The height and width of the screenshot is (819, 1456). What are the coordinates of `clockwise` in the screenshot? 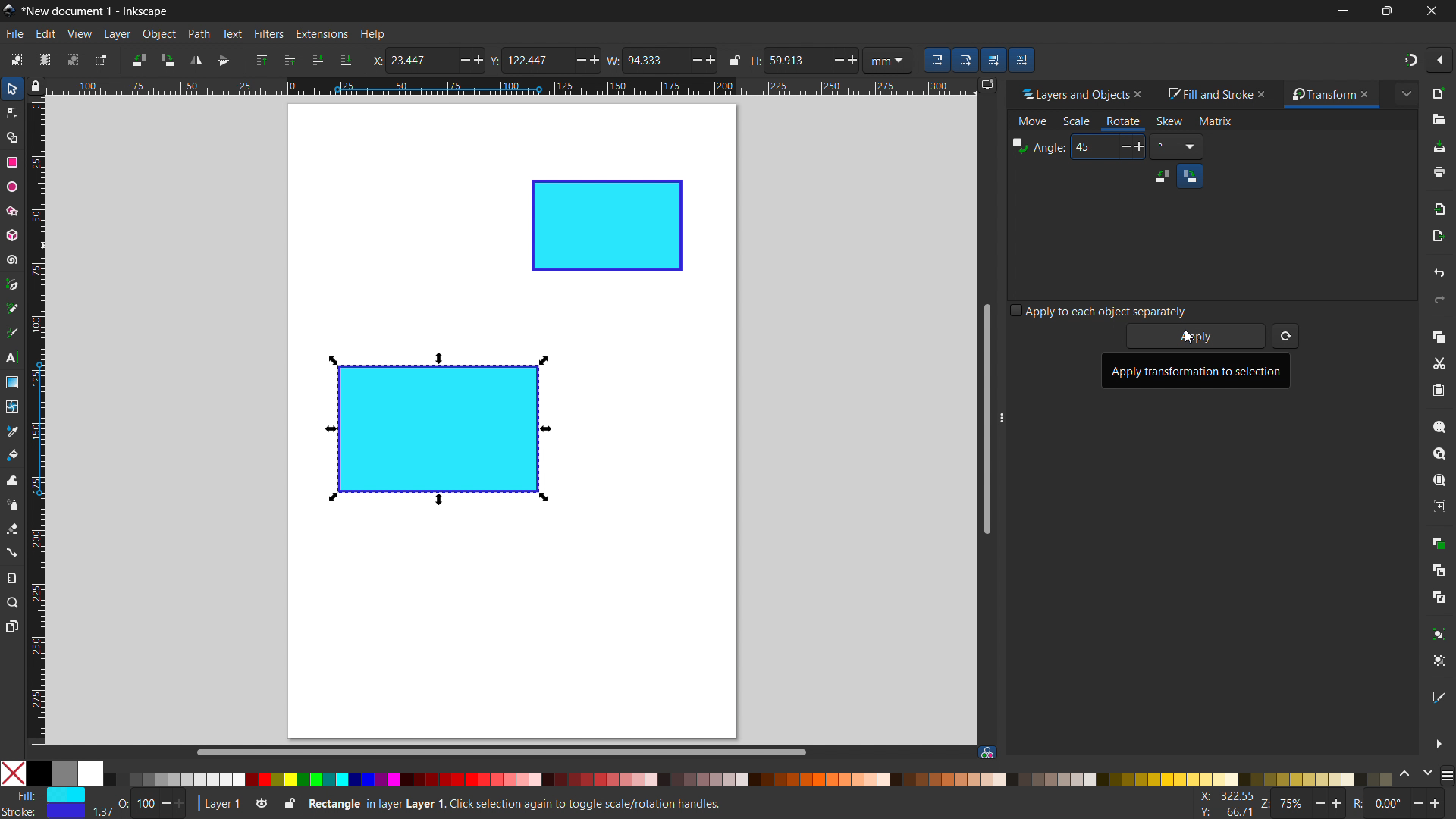 It's located at (1190, 175).